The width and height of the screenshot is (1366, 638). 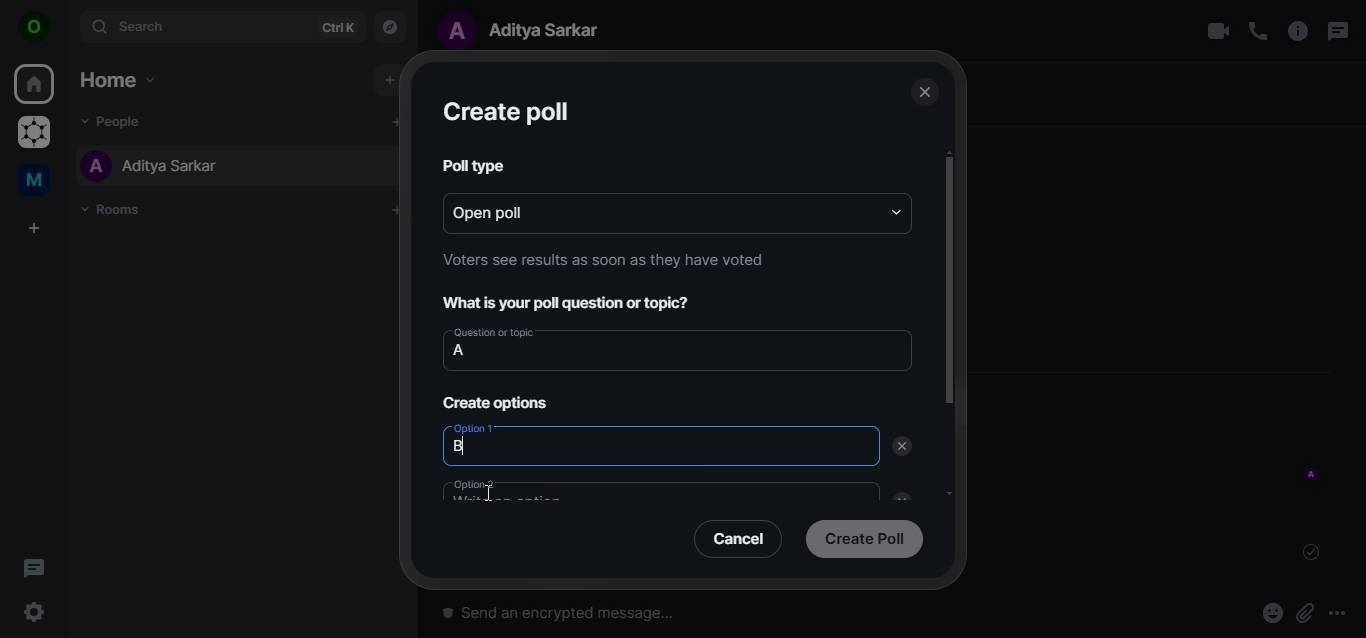 What do you see at coordinates (1217, 31) in the screenshot?
I see `video call` at bounding box center [1217, 31].